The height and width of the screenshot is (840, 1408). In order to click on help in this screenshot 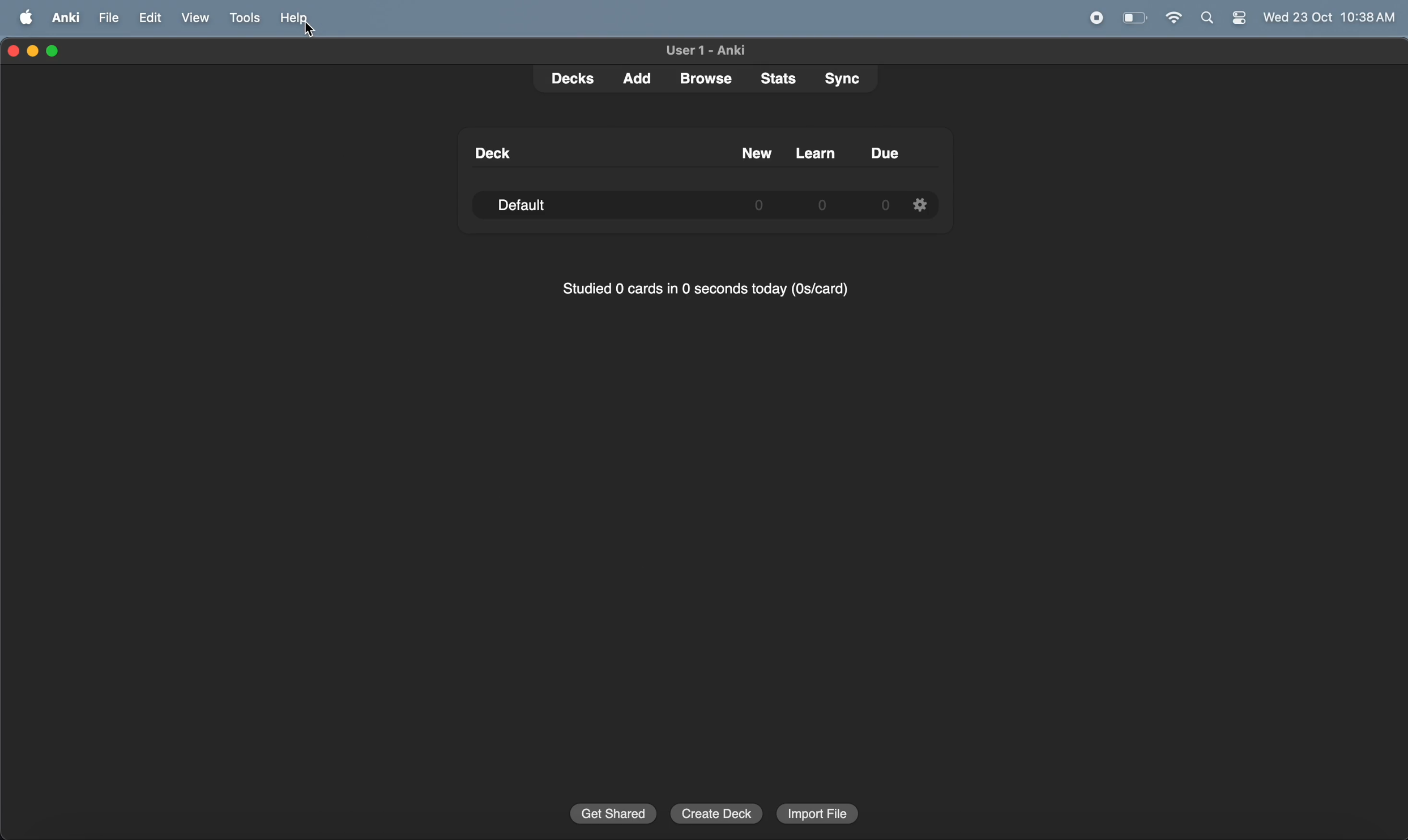, I will do `click(300, 19)`.